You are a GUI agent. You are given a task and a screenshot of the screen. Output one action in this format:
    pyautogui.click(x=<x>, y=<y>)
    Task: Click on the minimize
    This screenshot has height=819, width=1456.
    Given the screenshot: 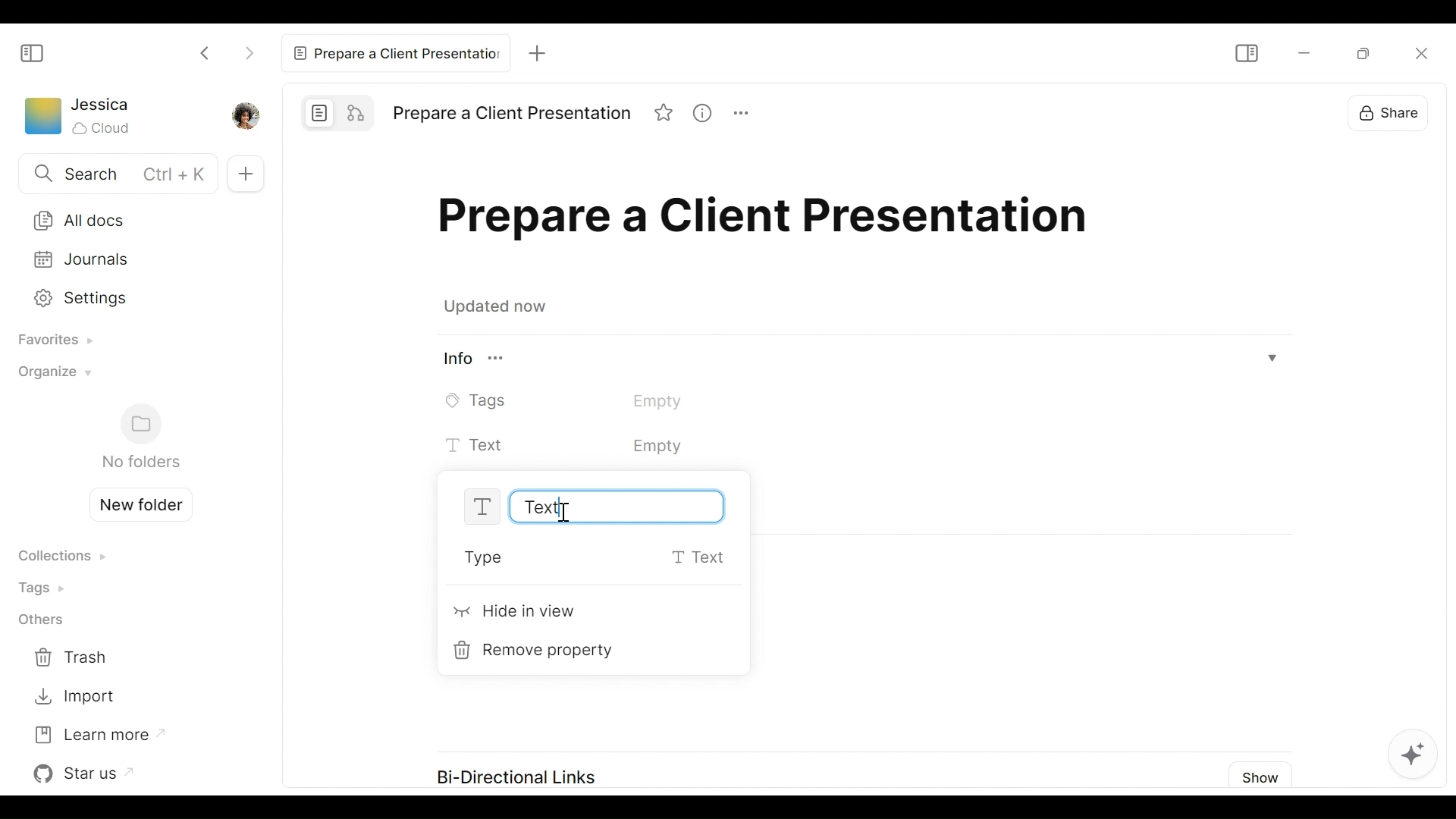 What is the action you would take?
    pyautogui.click(x=1302, y=54)
    